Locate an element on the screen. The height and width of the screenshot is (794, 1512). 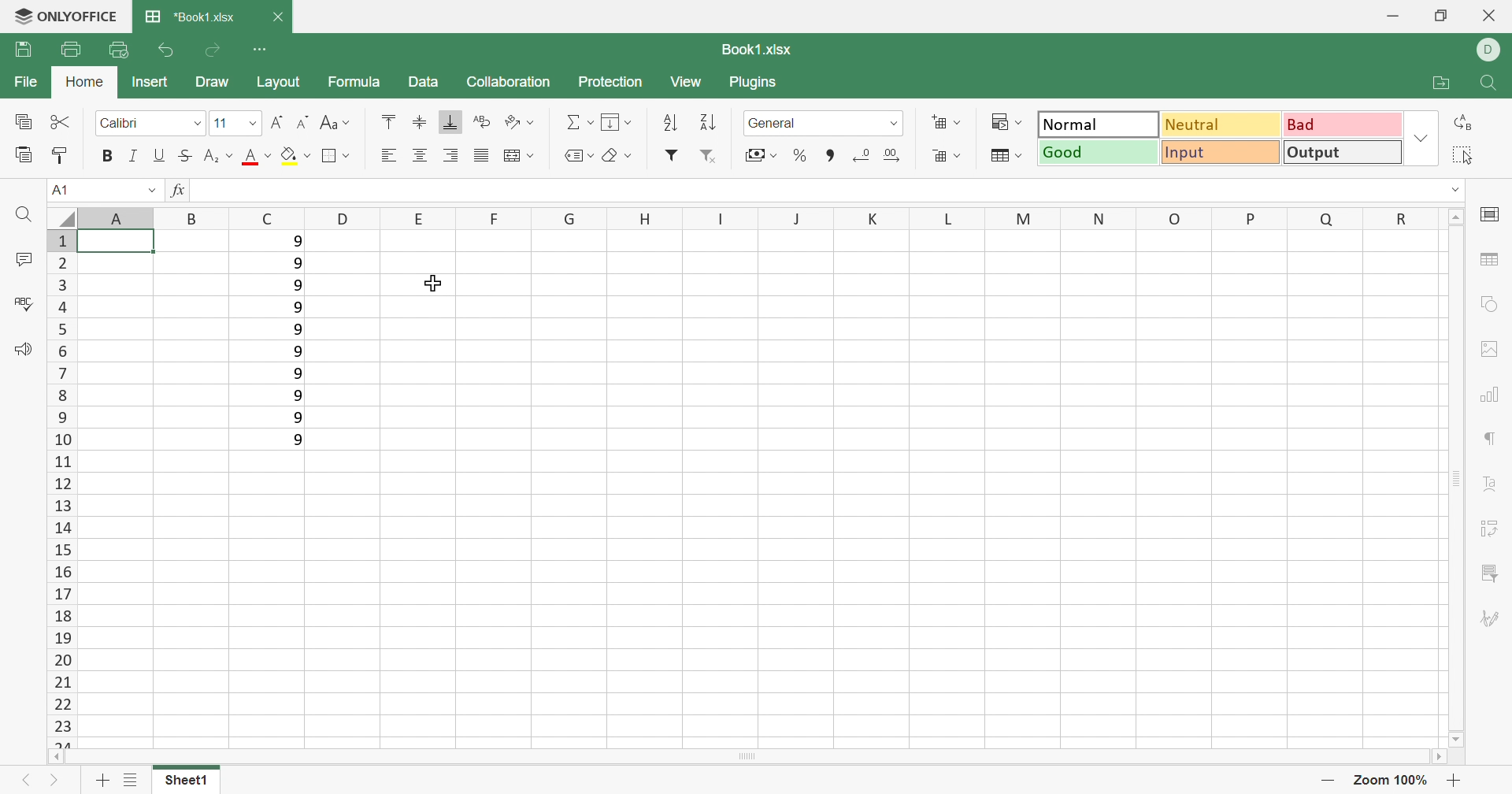
Good is located at coordinates (1100, 154).